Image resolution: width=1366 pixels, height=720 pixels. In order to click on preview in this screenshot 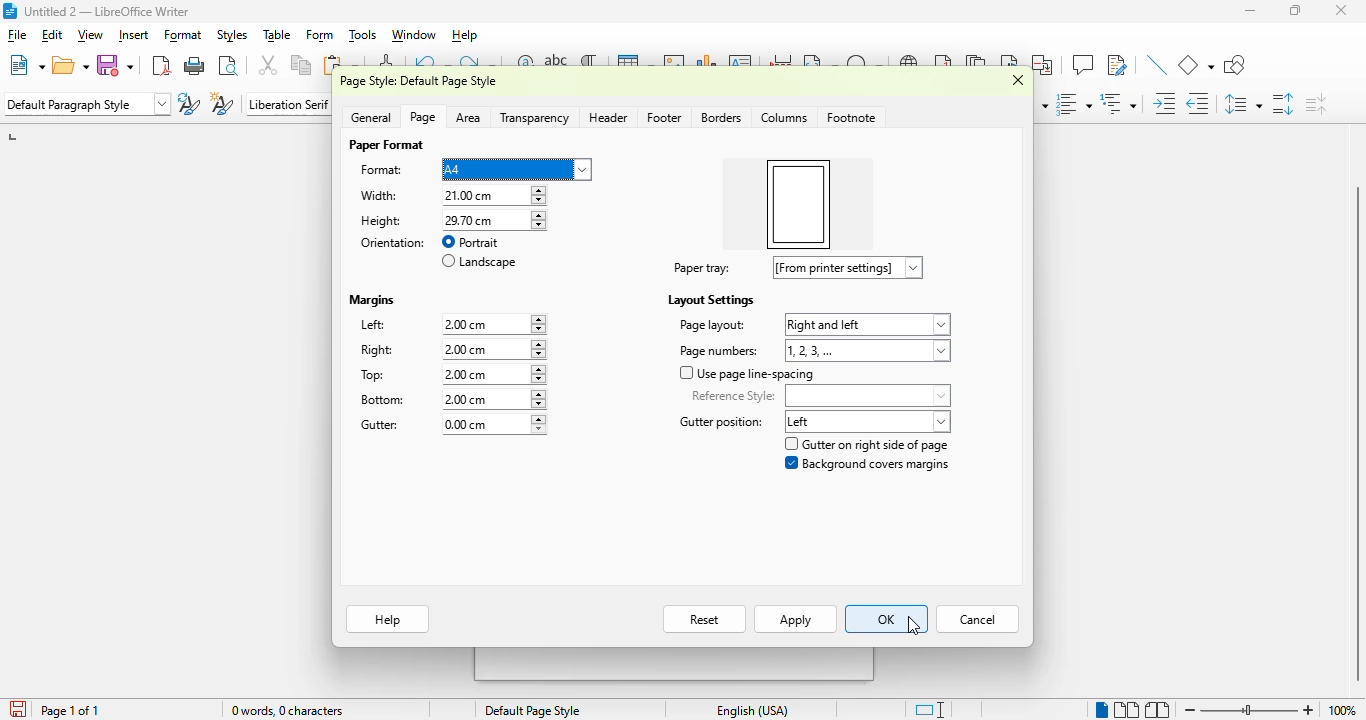, I will do `click(800, 204)`.